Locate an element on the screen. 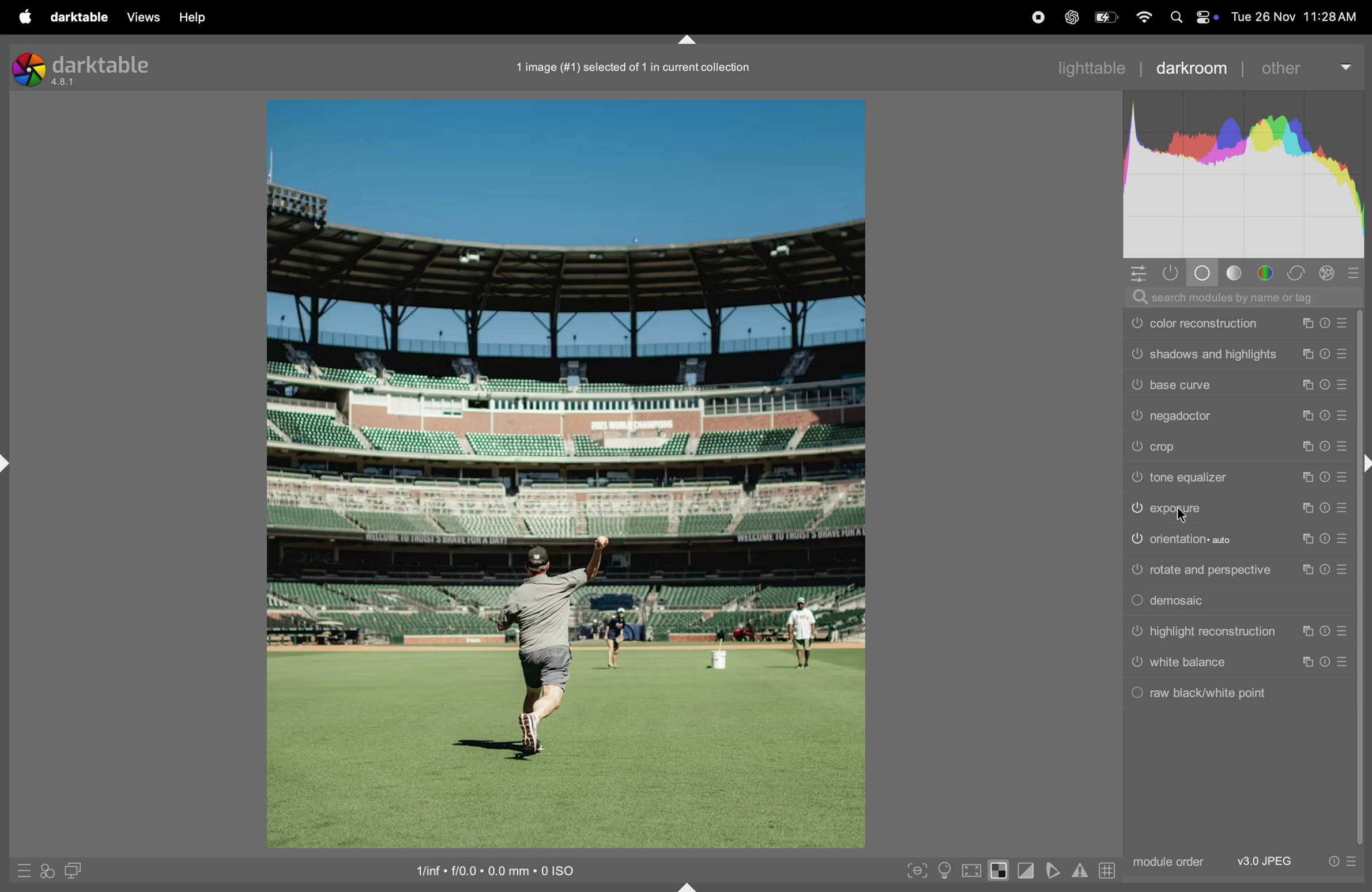 This screenshot has width=1372, height=892. expand or collapse  is located at coordinates (689, 885).